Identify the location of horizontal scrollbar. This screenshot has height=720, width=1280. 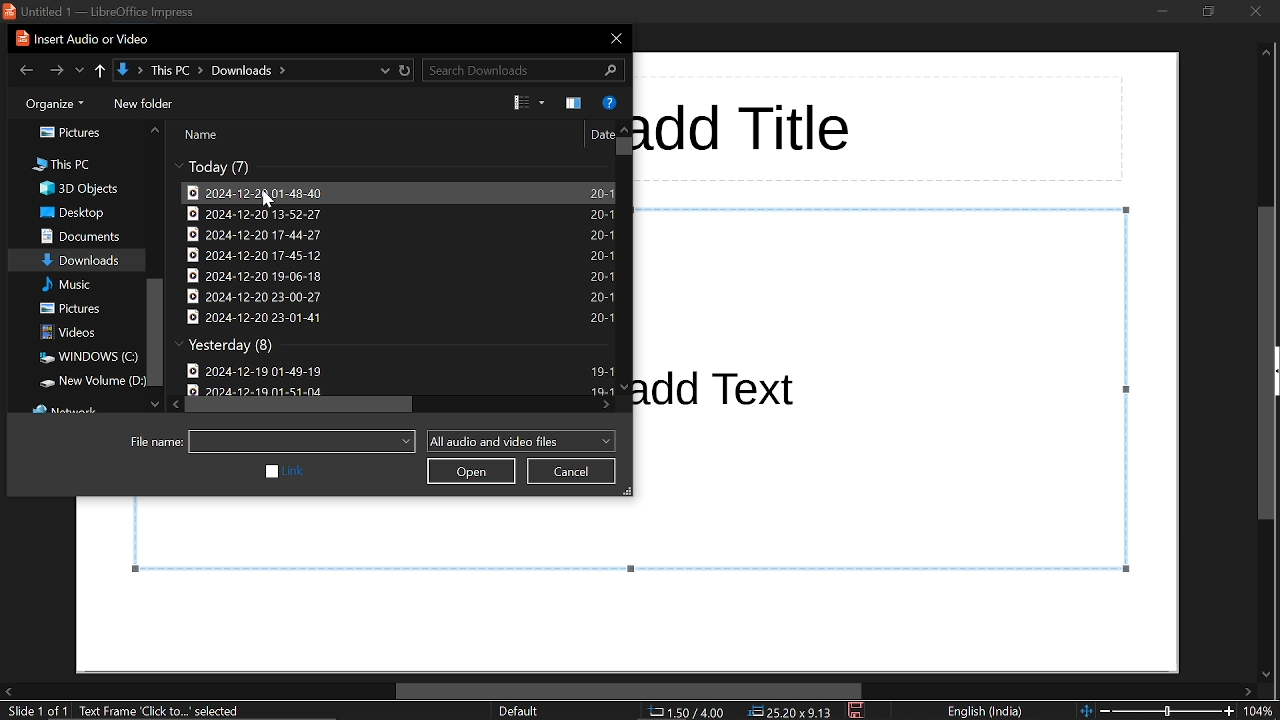
(628, 691).